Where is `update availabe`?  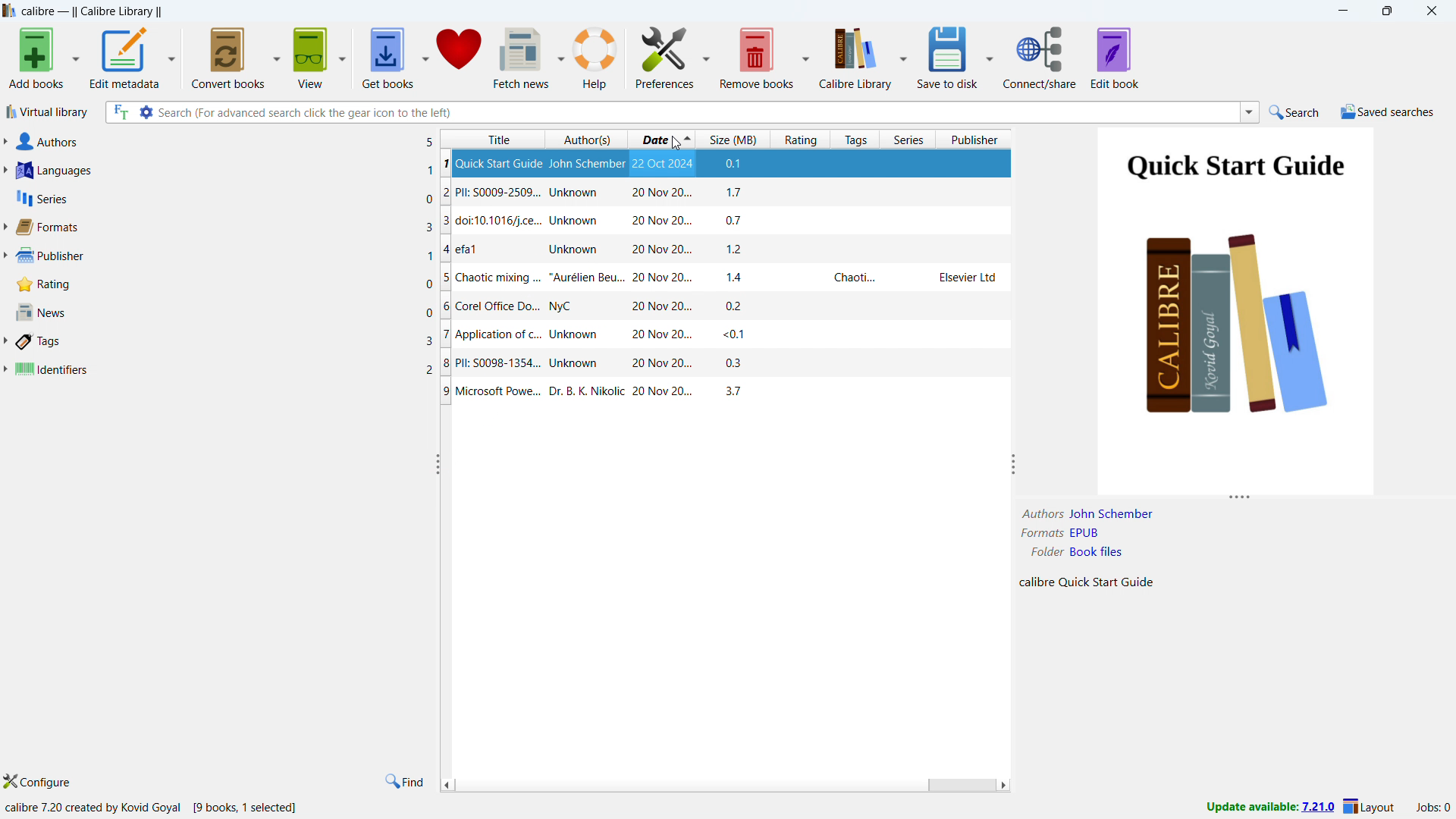
update availabe is located at coordinates (1269, 808).